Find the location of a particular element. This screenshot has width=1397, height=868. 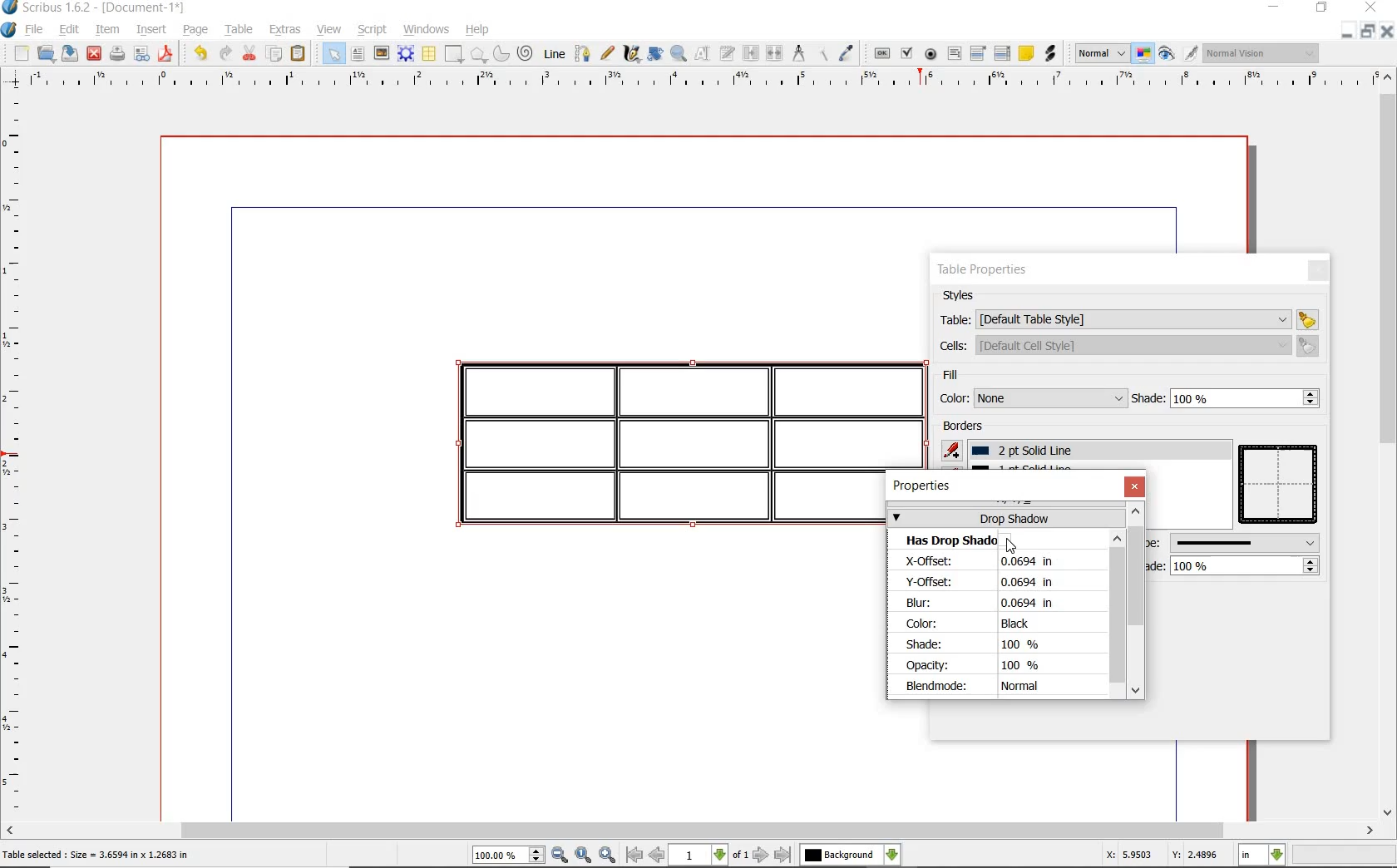

scrollbar is located at coordinates (698, 831).